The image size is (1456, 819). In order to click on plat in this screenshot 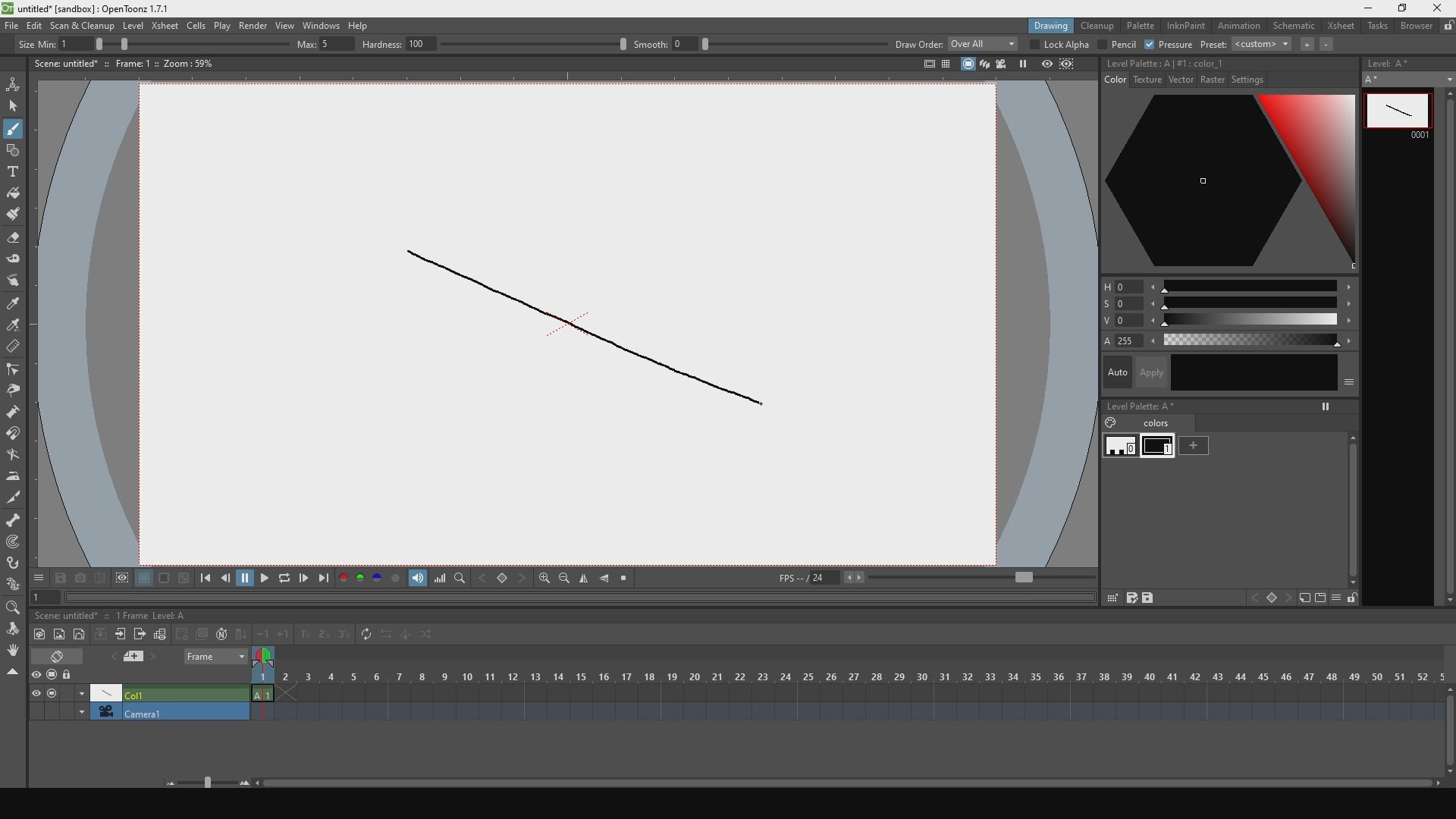, I will do `click(221, 25)`.